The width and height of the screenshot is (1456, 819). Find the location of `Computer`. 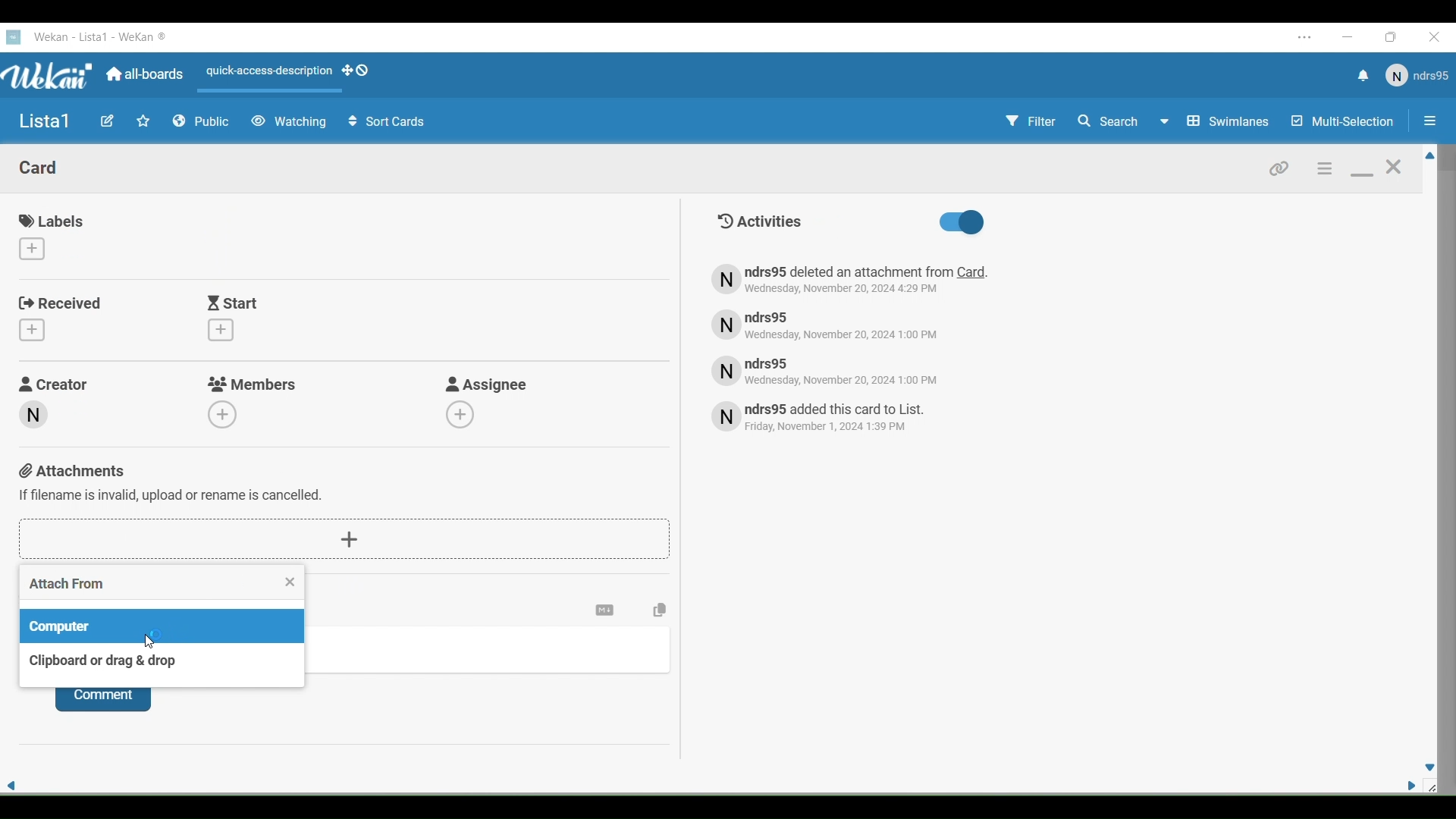

Computer is located at coordinates (164, 626).